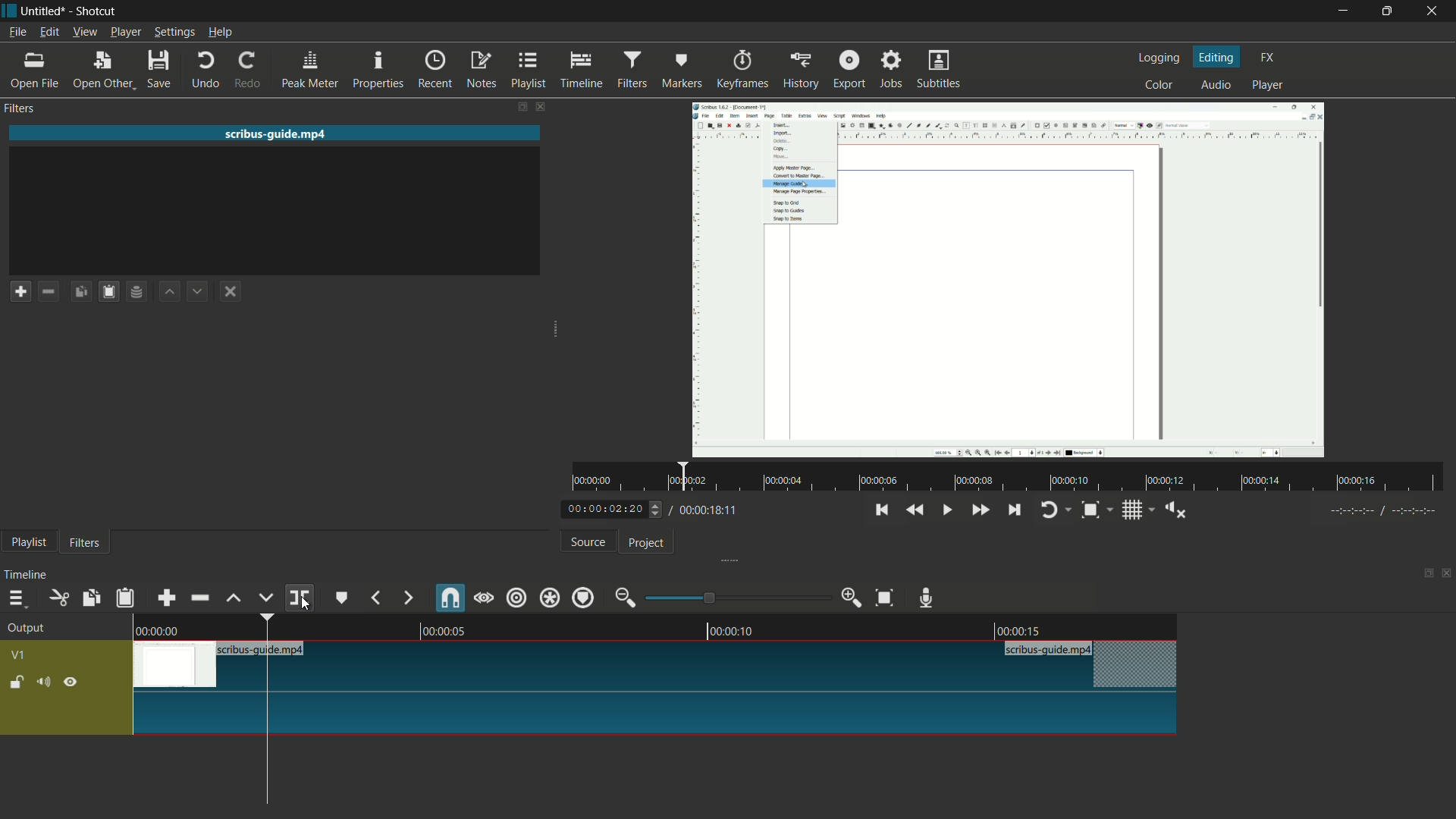  What do you see at coordinates (1159, 83) in the screenshot?
I see `color` at bounding box center [1159, 83].